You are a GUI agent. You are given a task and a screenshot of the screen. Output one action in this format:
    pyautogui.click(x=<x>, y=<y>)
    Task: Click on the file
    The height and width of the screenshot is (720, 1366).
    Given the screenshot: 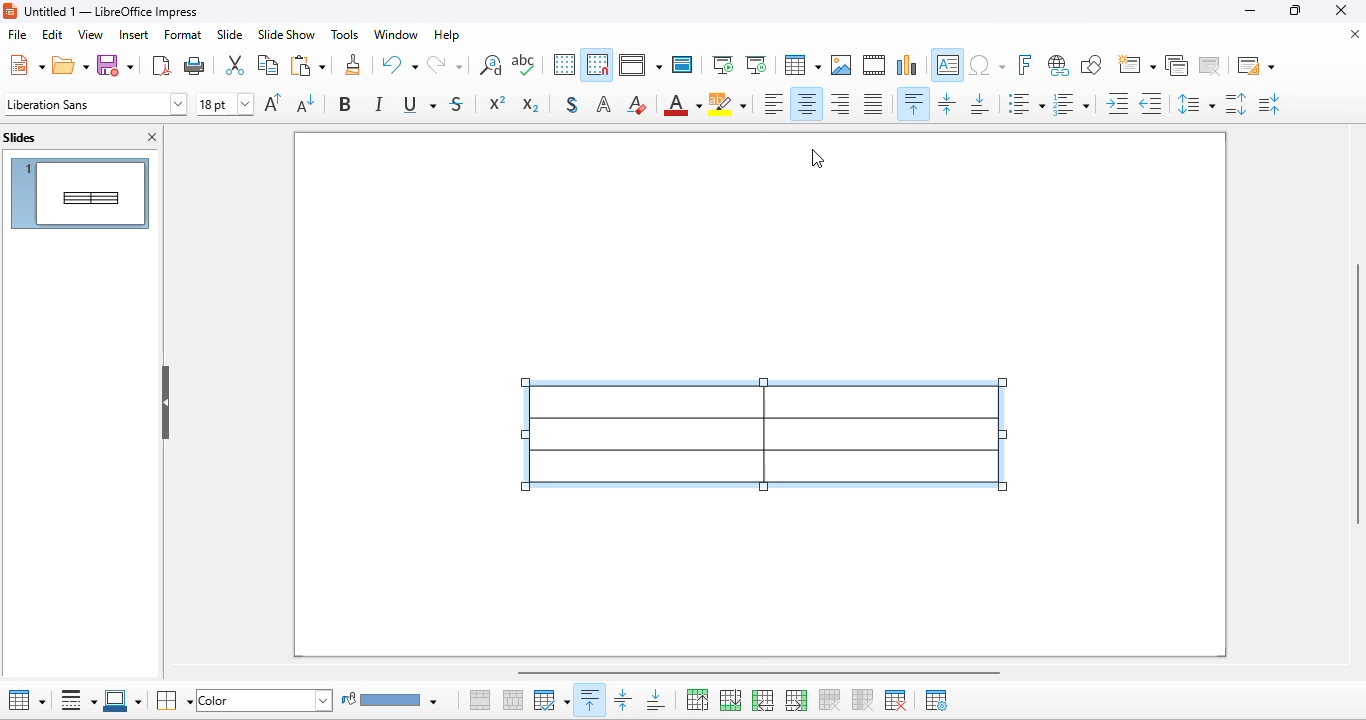 What is the action you would take?
    pyautogui.click(x=17, y=34)
    